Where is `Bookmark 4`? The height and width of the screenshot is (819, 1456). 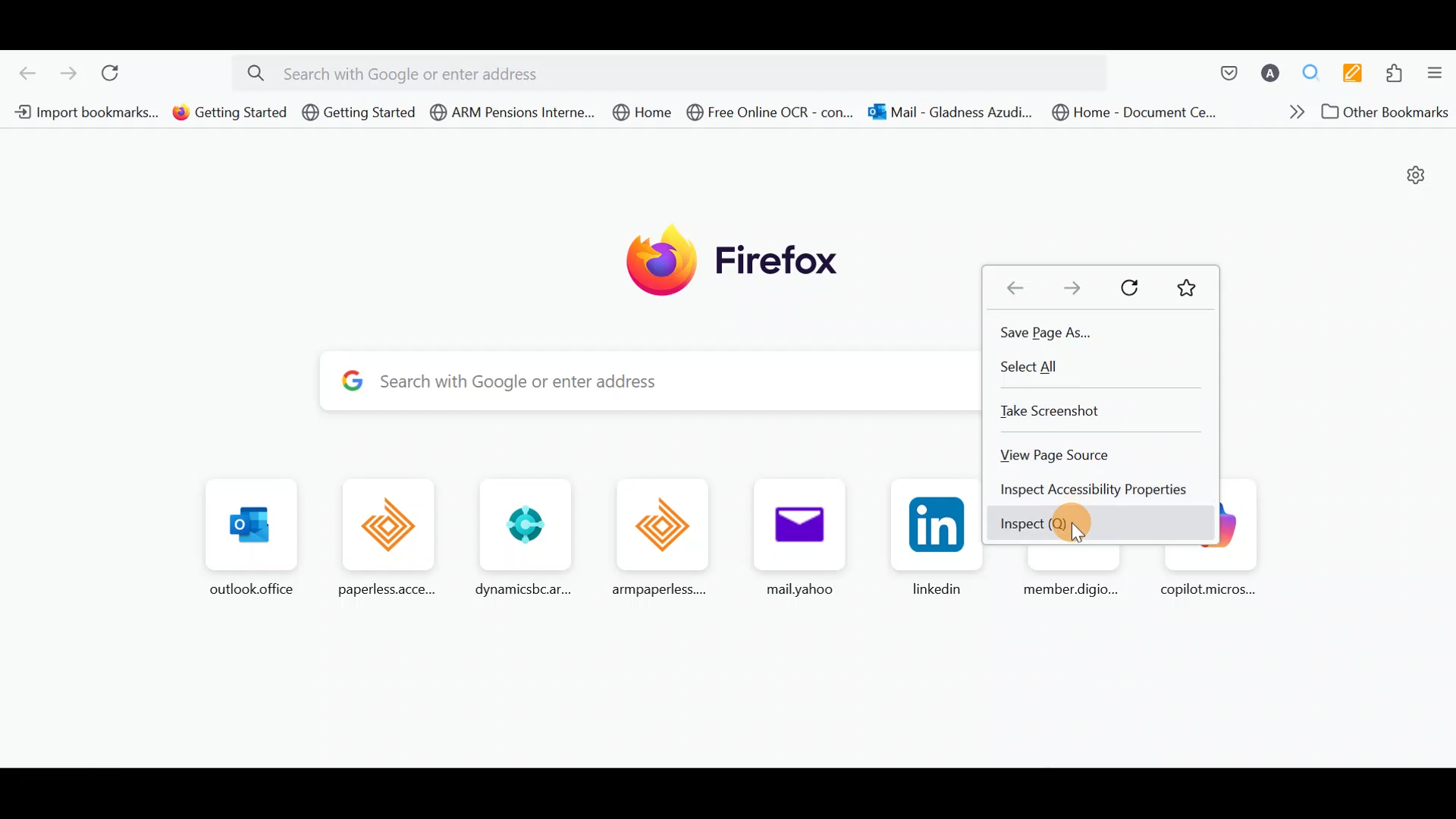 Bookmark 4 is located at coordinates (507, 111).